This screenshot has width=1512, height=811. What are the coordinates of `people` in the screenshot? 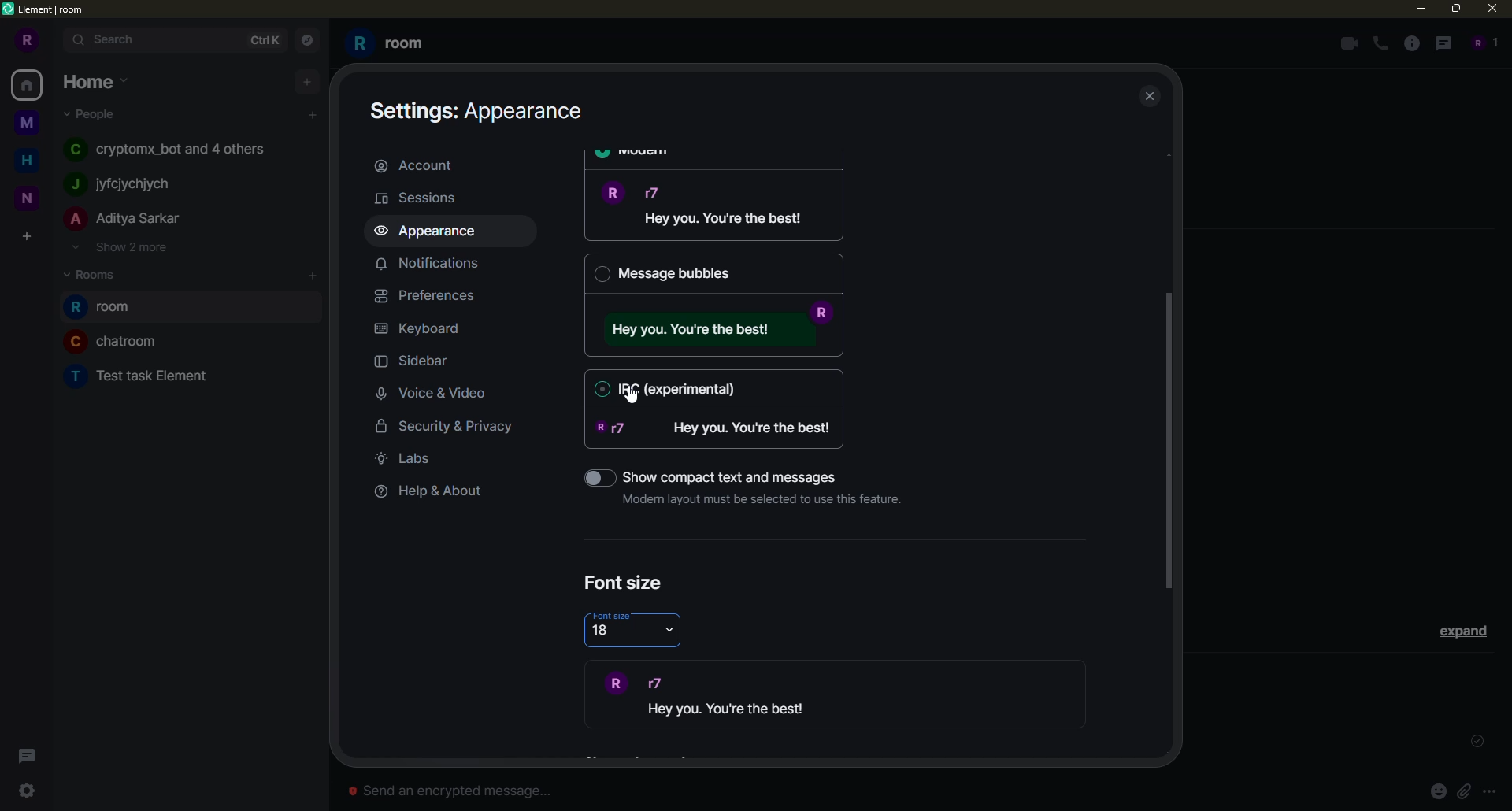 It's located at (1482, 43).